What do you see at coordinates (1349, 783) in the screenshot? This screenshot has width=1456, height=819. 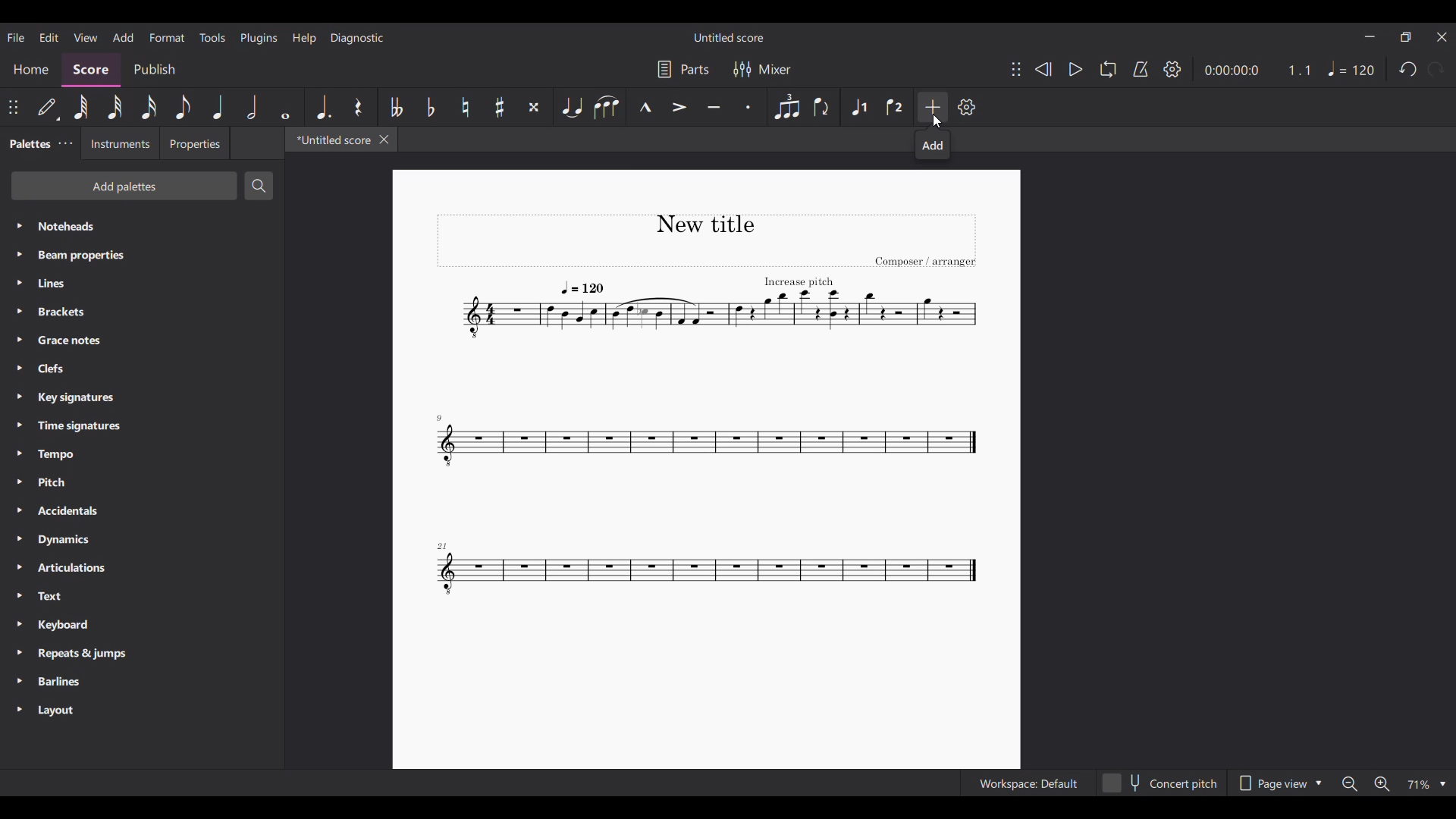 I see `Zoom out` at bounding box center [1349, 783].